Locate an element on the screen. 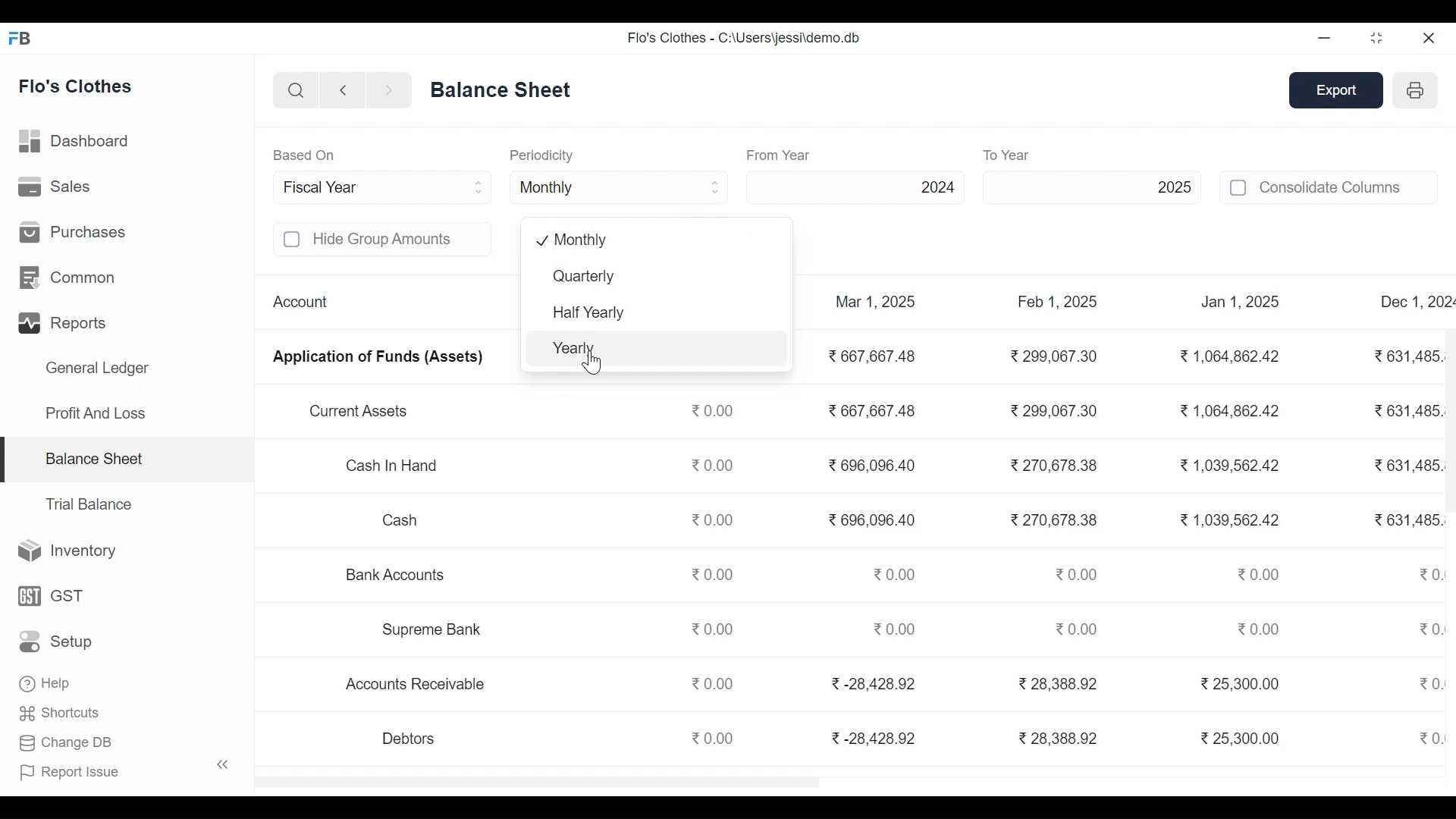 This screenshot has width=1456, height=819. Shortcuts is located at coordinates (61, 711).